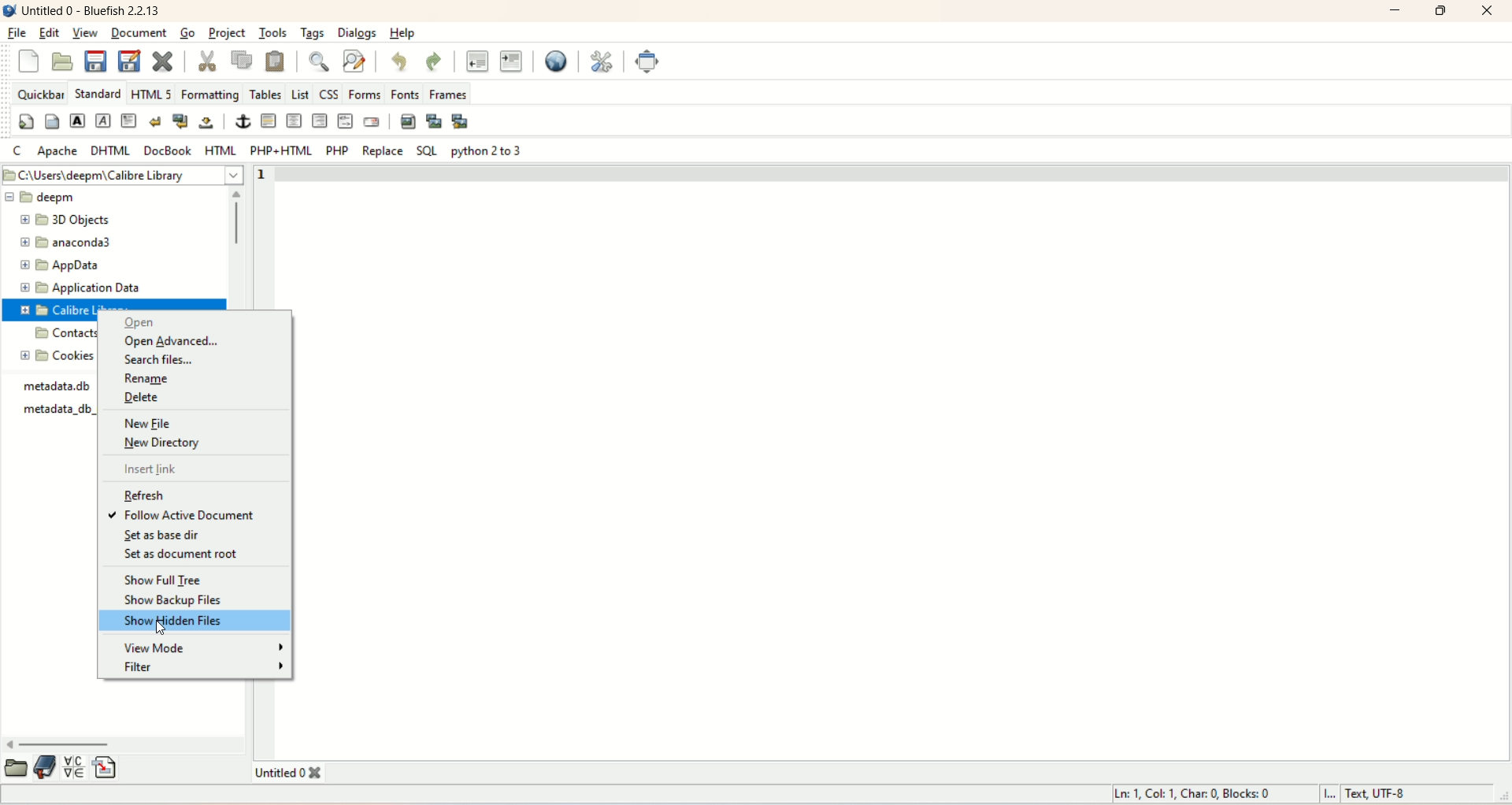  What do you see at coordinates (157, 360) in the screenshot?
I see `search files` at bounding box center [157, 360].